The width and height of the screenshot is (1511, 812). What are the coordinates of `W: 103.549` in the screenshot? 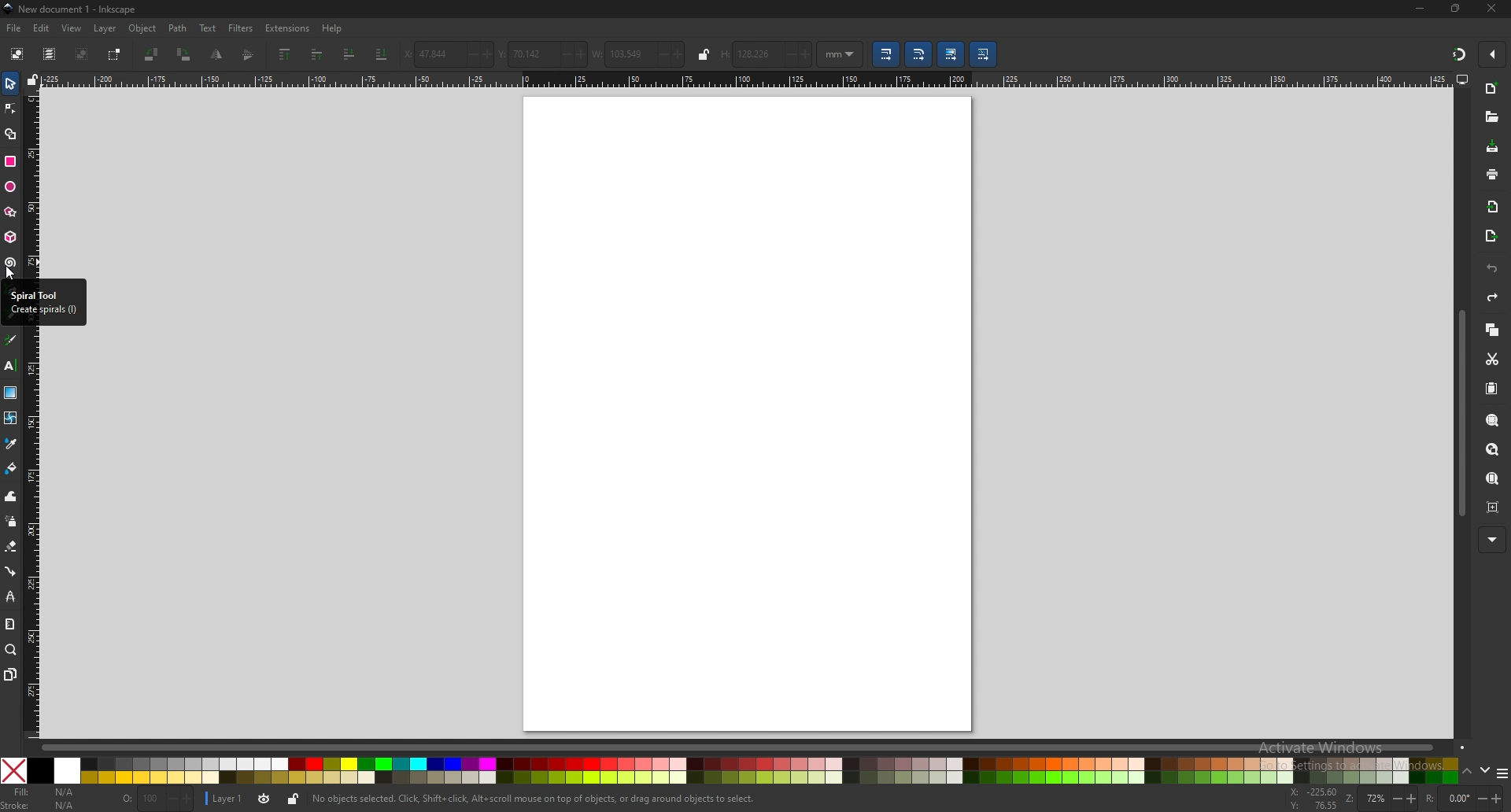 It's located at (638, 54).